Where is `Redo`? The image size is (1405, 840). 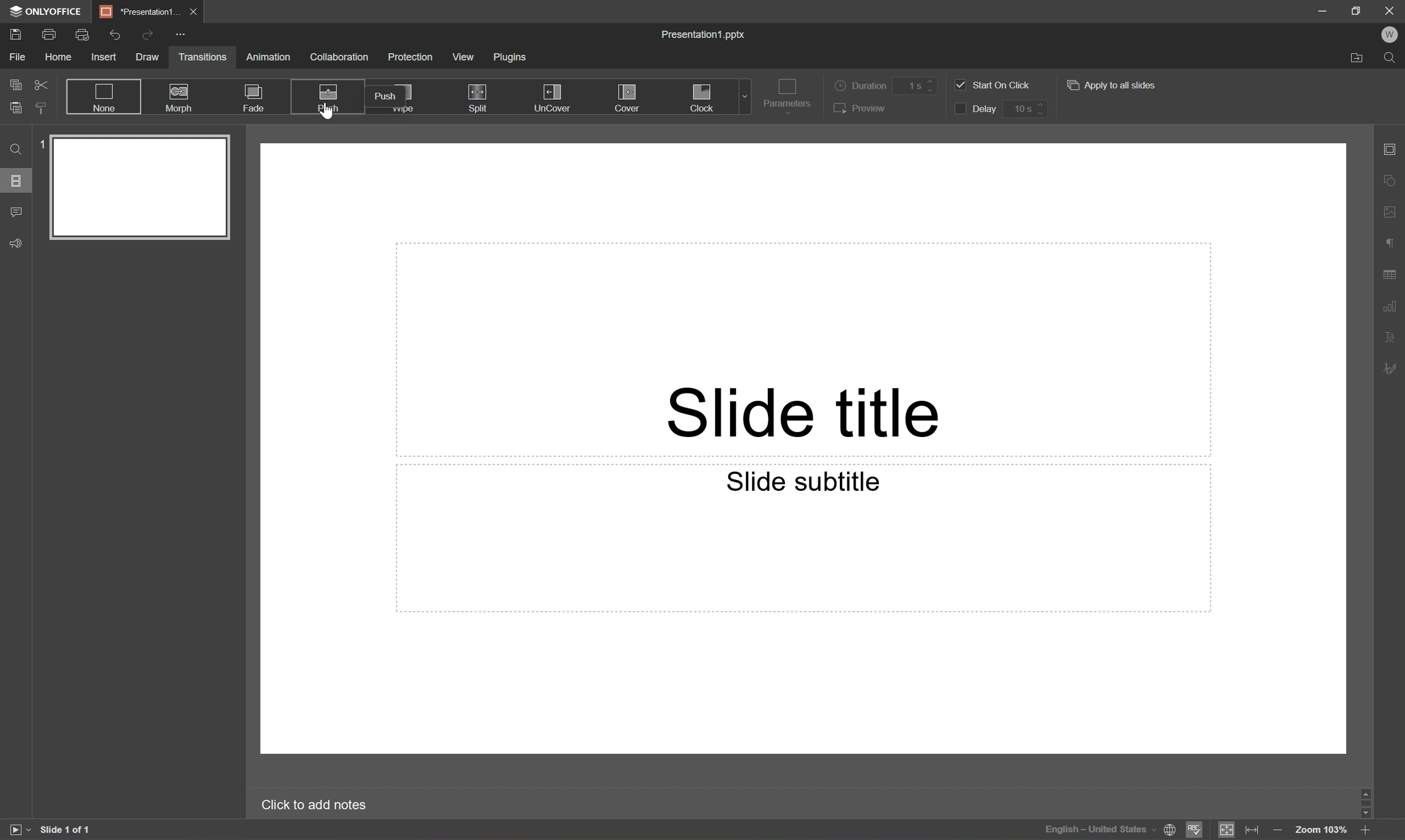
Redo is located at coordinates (147, 35).